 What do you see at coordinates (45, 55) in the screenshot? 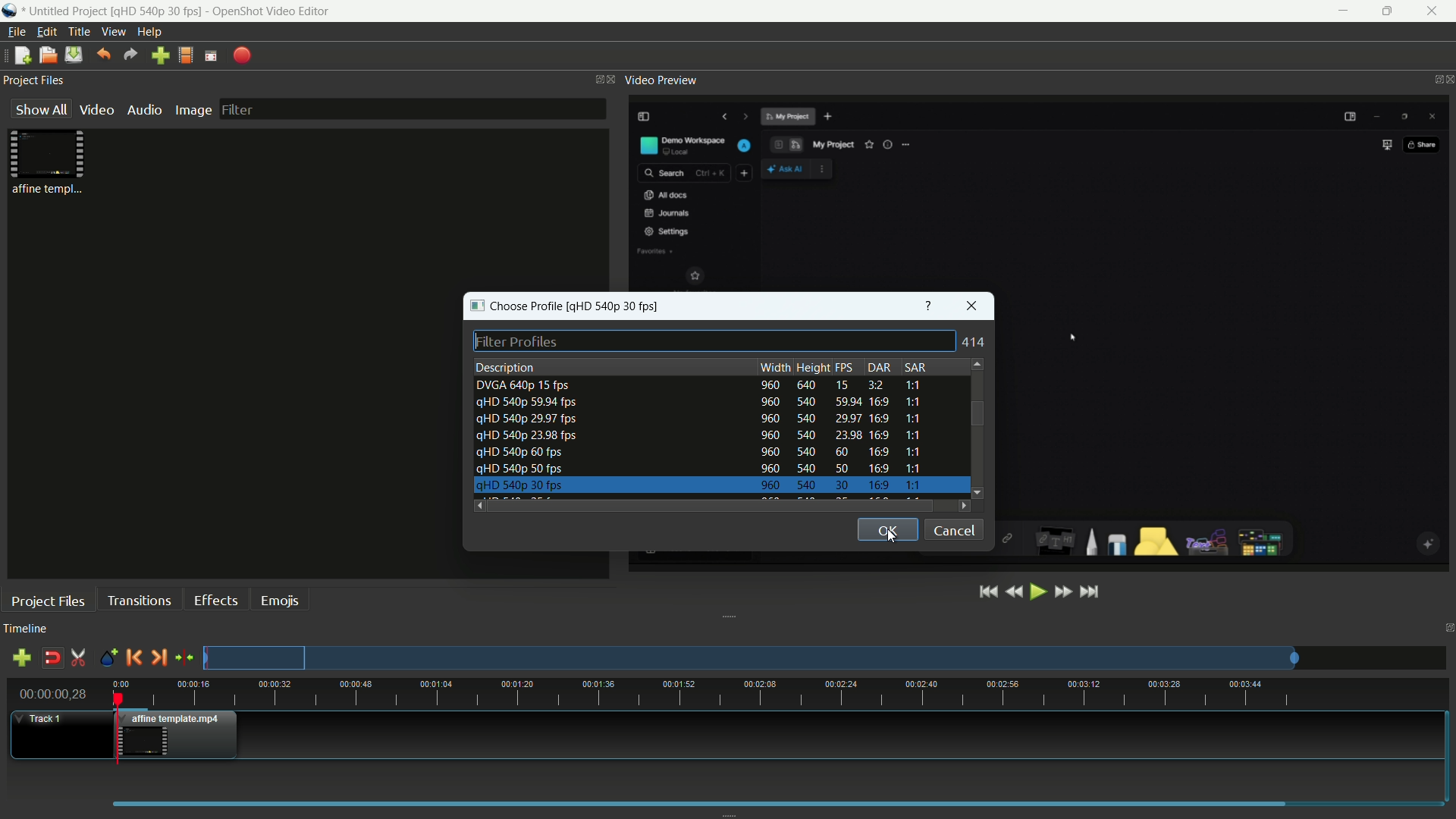
I see `open file` at bounding box center [45, 55].